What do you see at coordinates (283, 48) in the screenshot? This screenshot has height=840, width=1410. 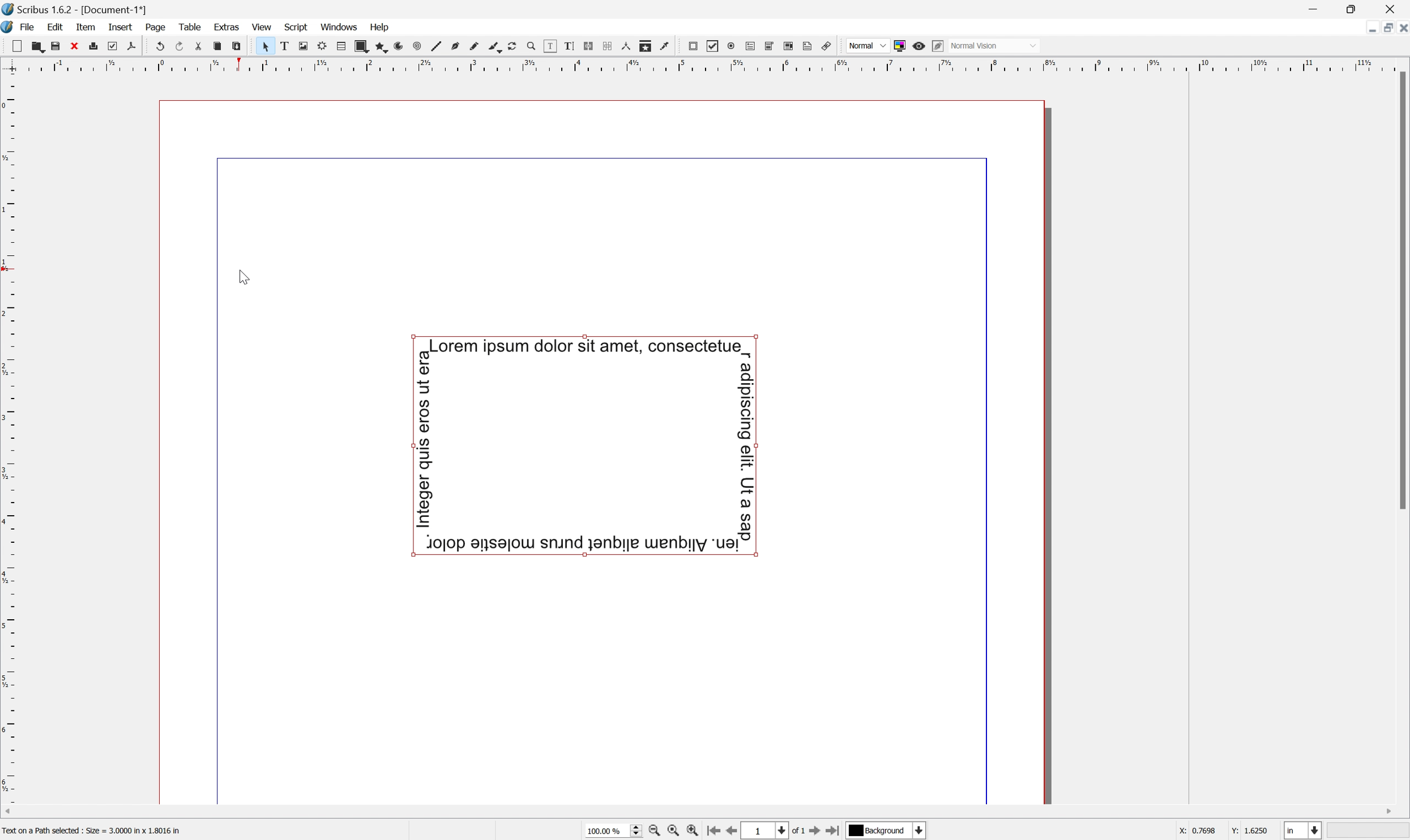 I see `Text frame` at bounding box center [283, 48].